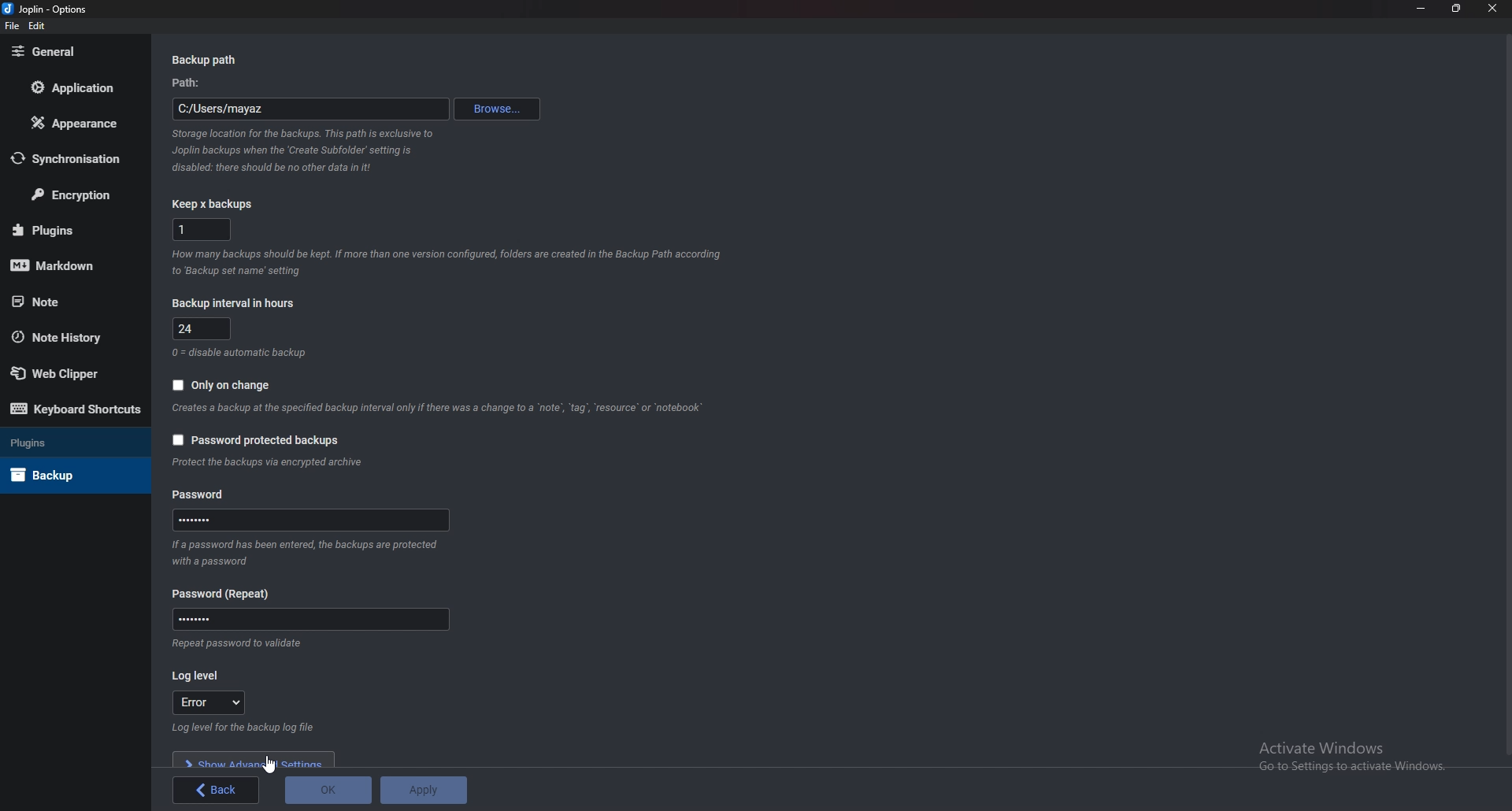  I want to click on Encryption, so click(73, 194).